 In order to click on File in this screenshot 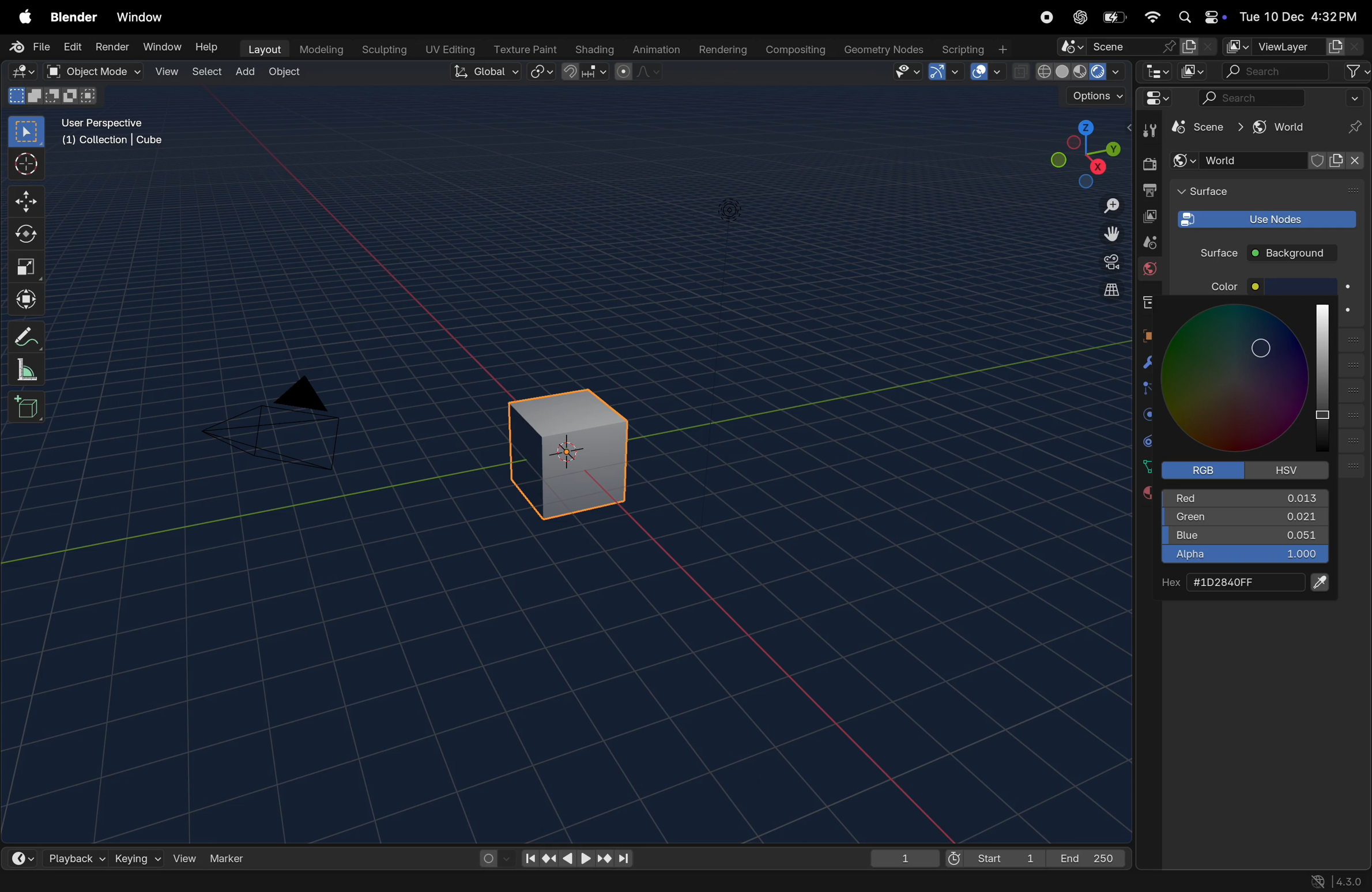, I will do `click(28, 47)`.